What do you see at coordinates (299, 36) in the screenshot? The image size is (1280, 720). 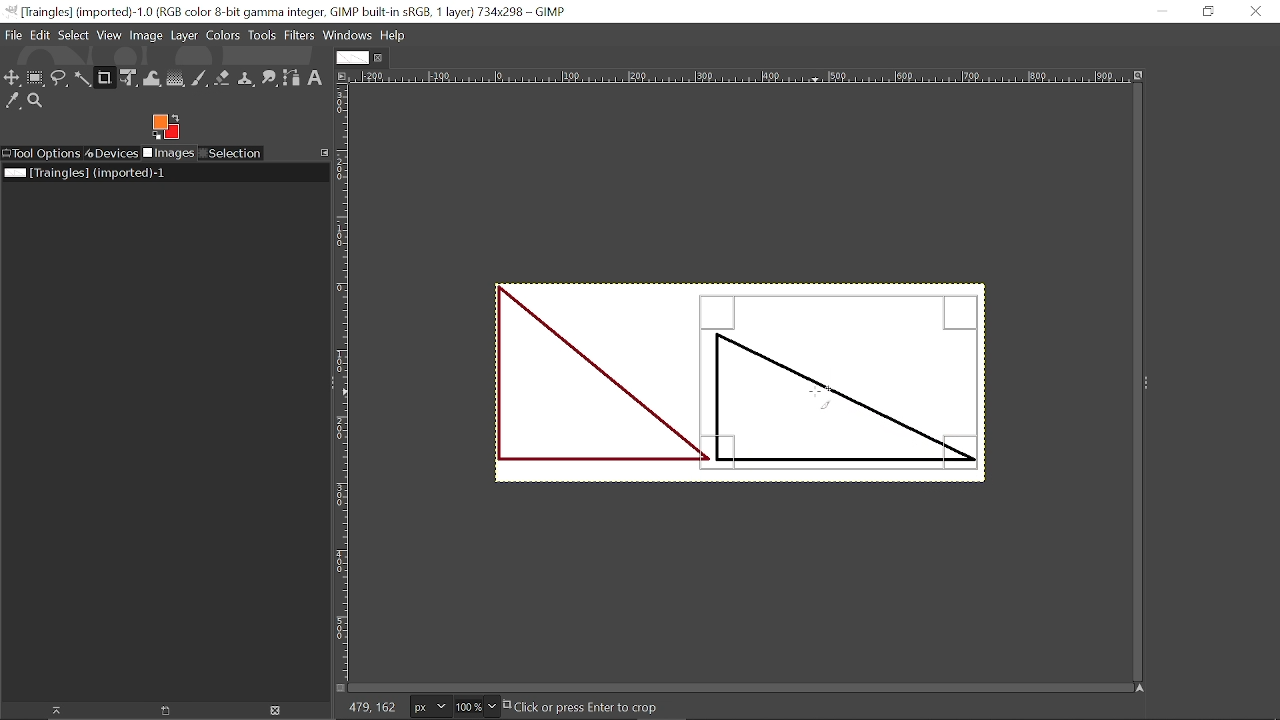 I see `Filters` at bounding box center [299, 36].